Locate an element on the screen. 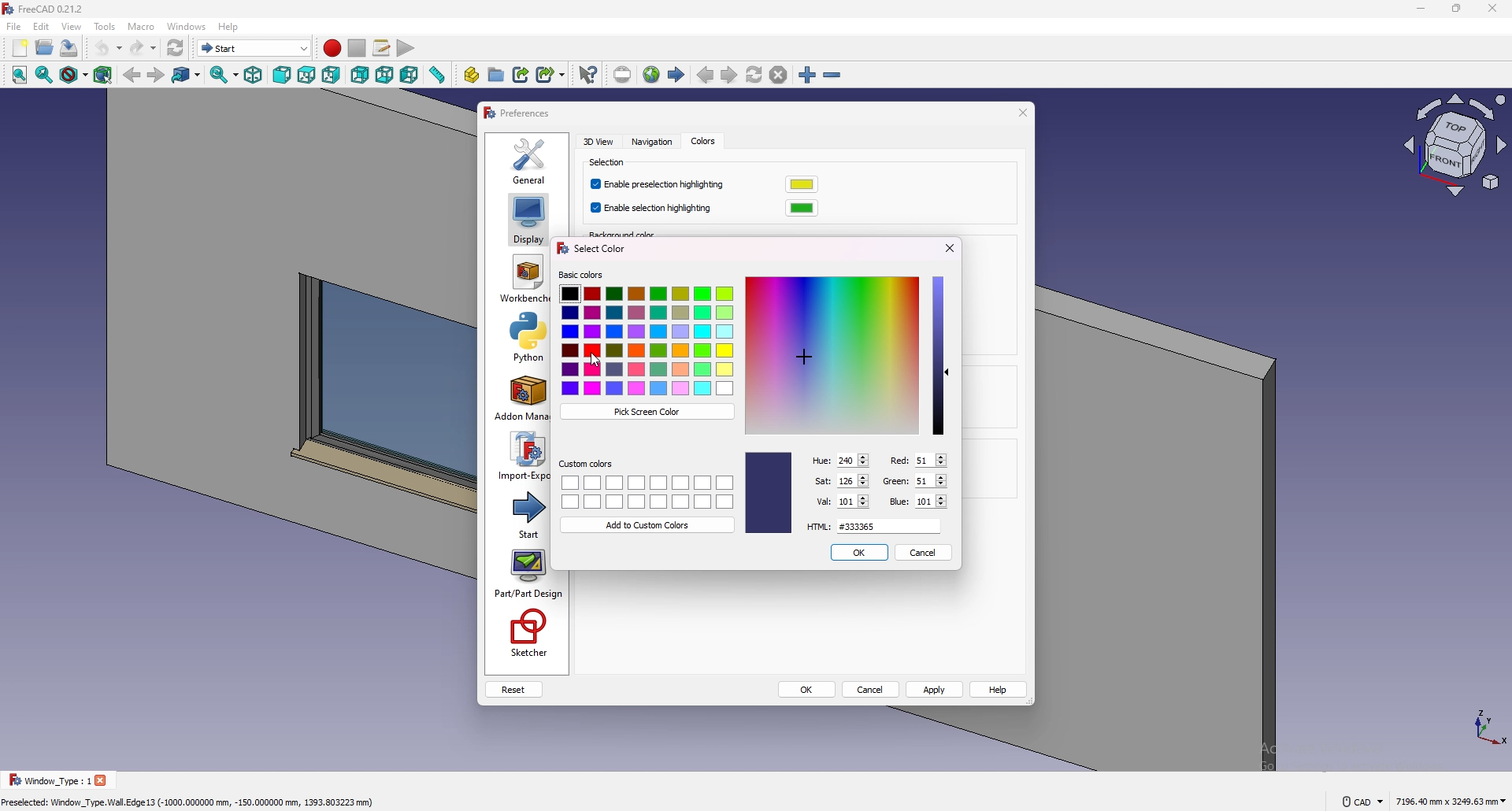 This screenshot has height=811, width=1512. bounding box is located at coordinates (104, 75).